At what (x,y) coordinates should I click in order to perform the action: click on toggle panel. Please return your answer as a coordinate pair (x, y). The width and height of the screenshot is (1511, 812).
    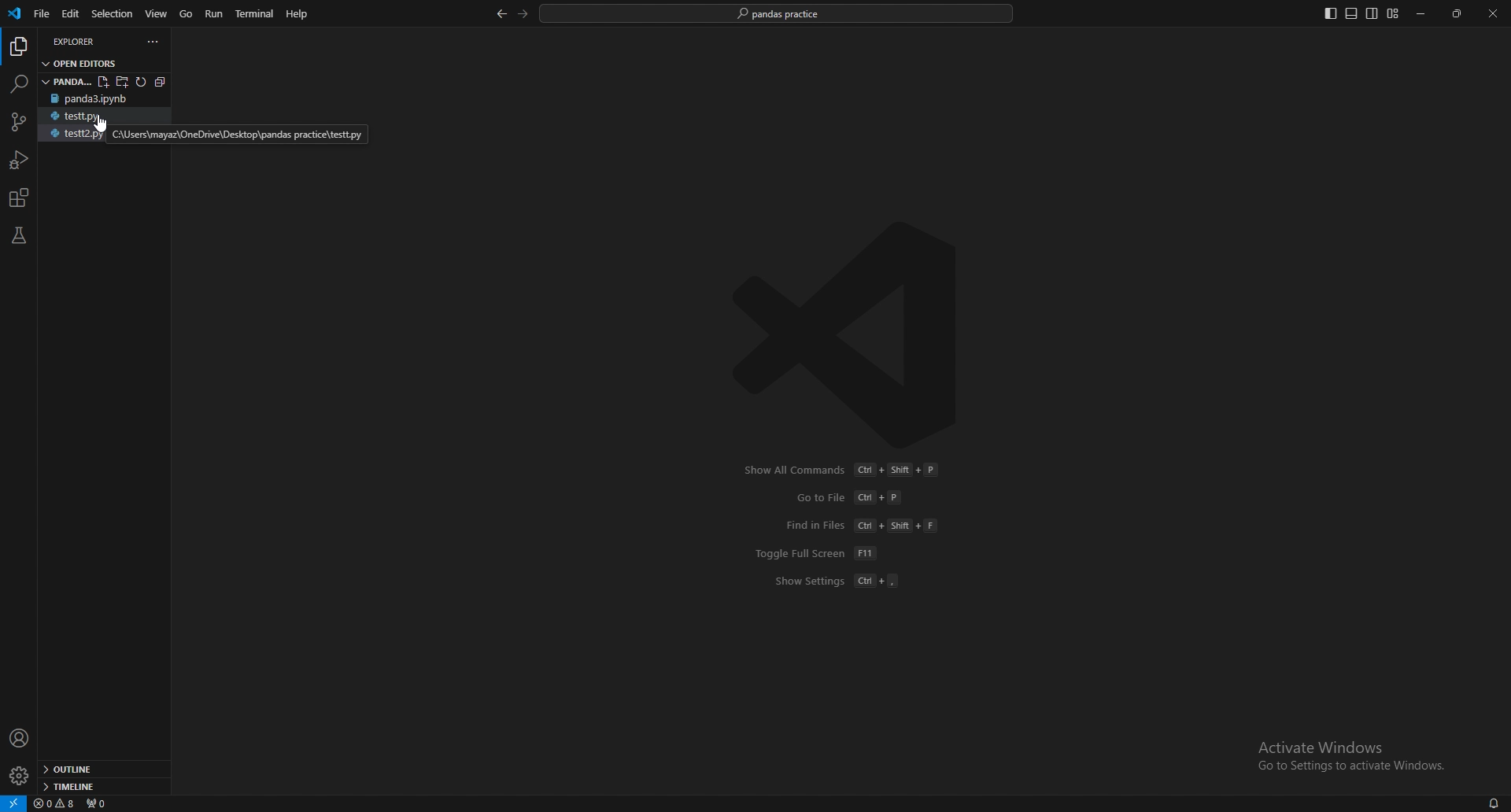
    Looking at the image, I should click on (1351, 14).